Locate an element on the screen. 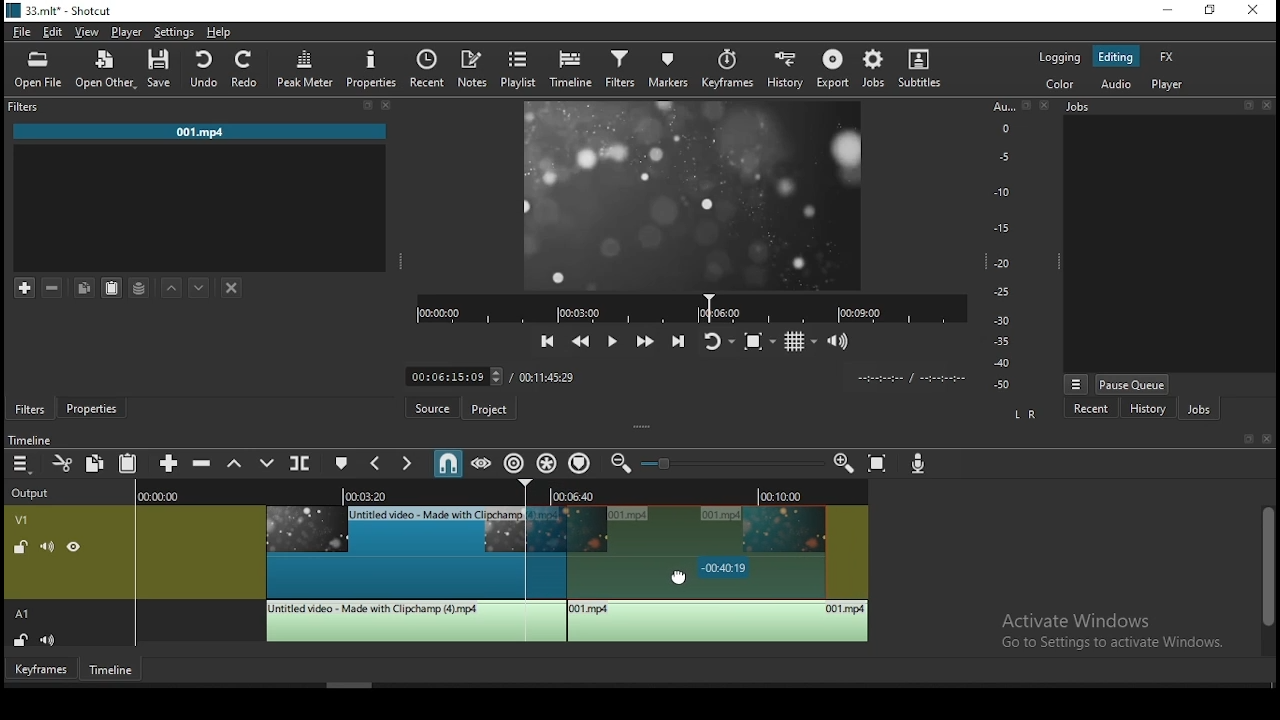 This screenshot has width=1280, height=720. video clip is located at coordinates (393, 552).